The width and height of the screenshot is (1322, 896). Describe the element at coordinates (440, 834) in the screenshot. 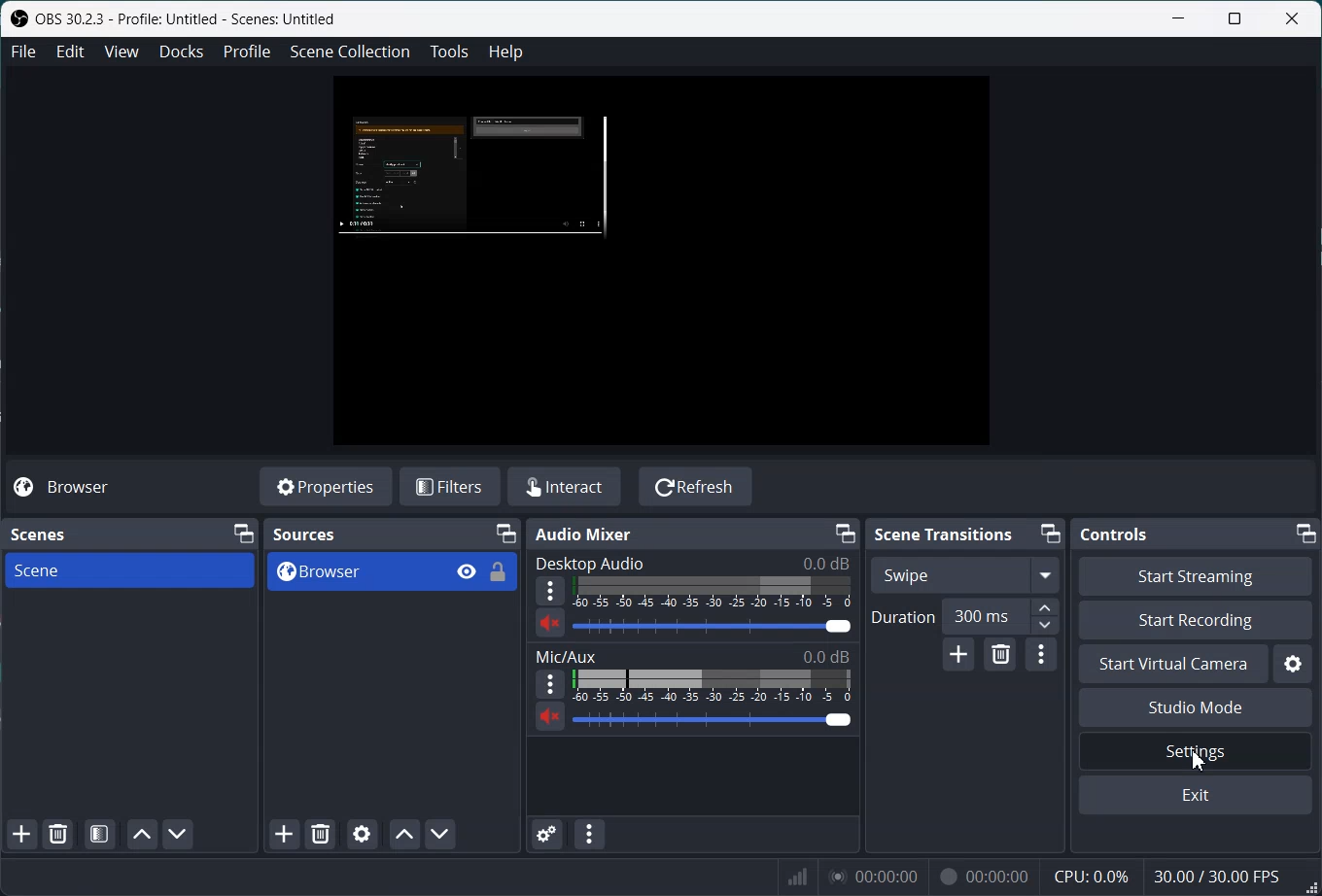

I see `Move Source Down` at that location.